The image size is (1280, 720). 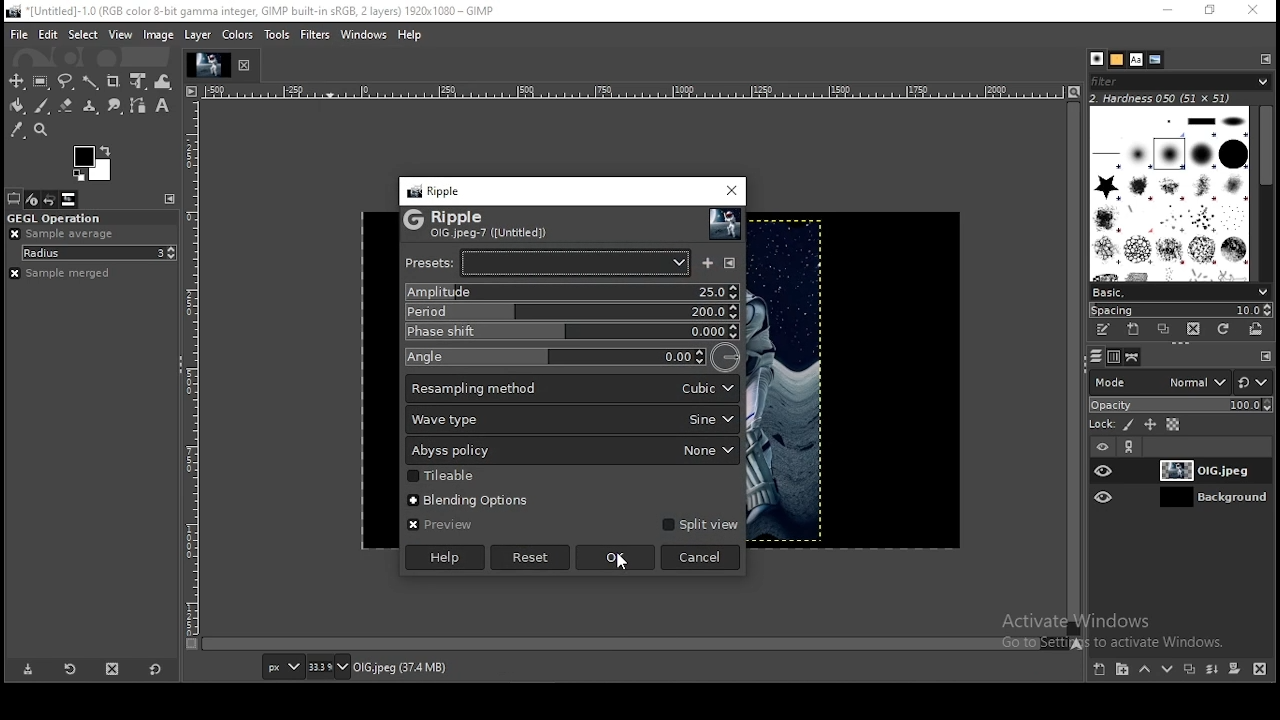 What do you see at coordinates (1265, 193) in the screenshot?
I see `scroll bar` at bounding box center [1265, 193].